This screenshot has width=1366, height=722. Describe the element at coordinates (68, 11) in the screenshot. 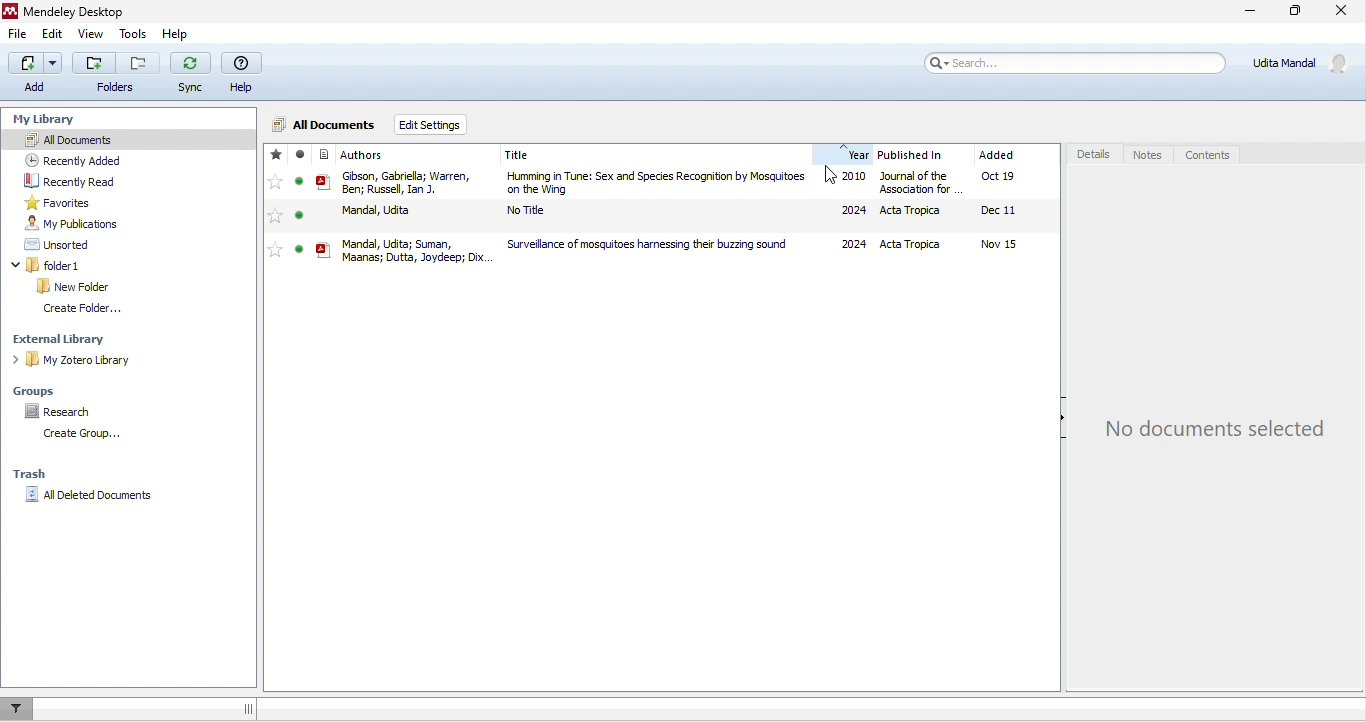

I see `mendley desktop` at that location.